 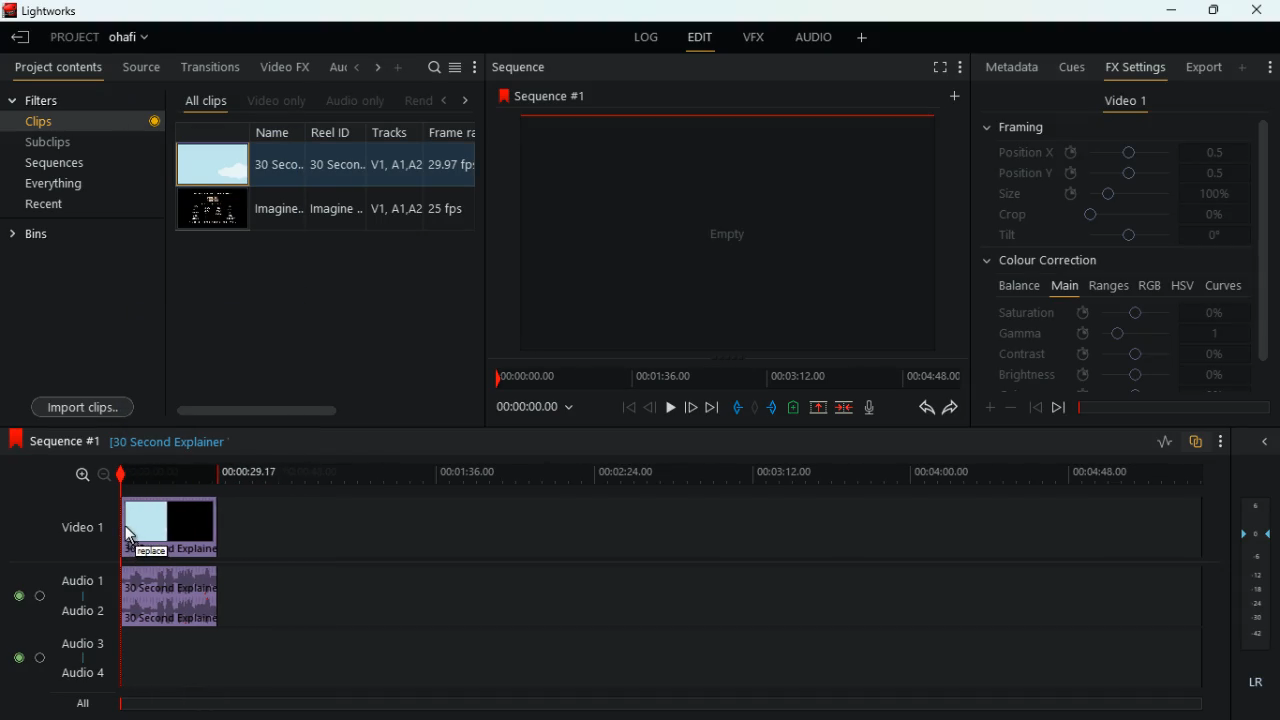 I want to click on source, so click(x=139, y=68).